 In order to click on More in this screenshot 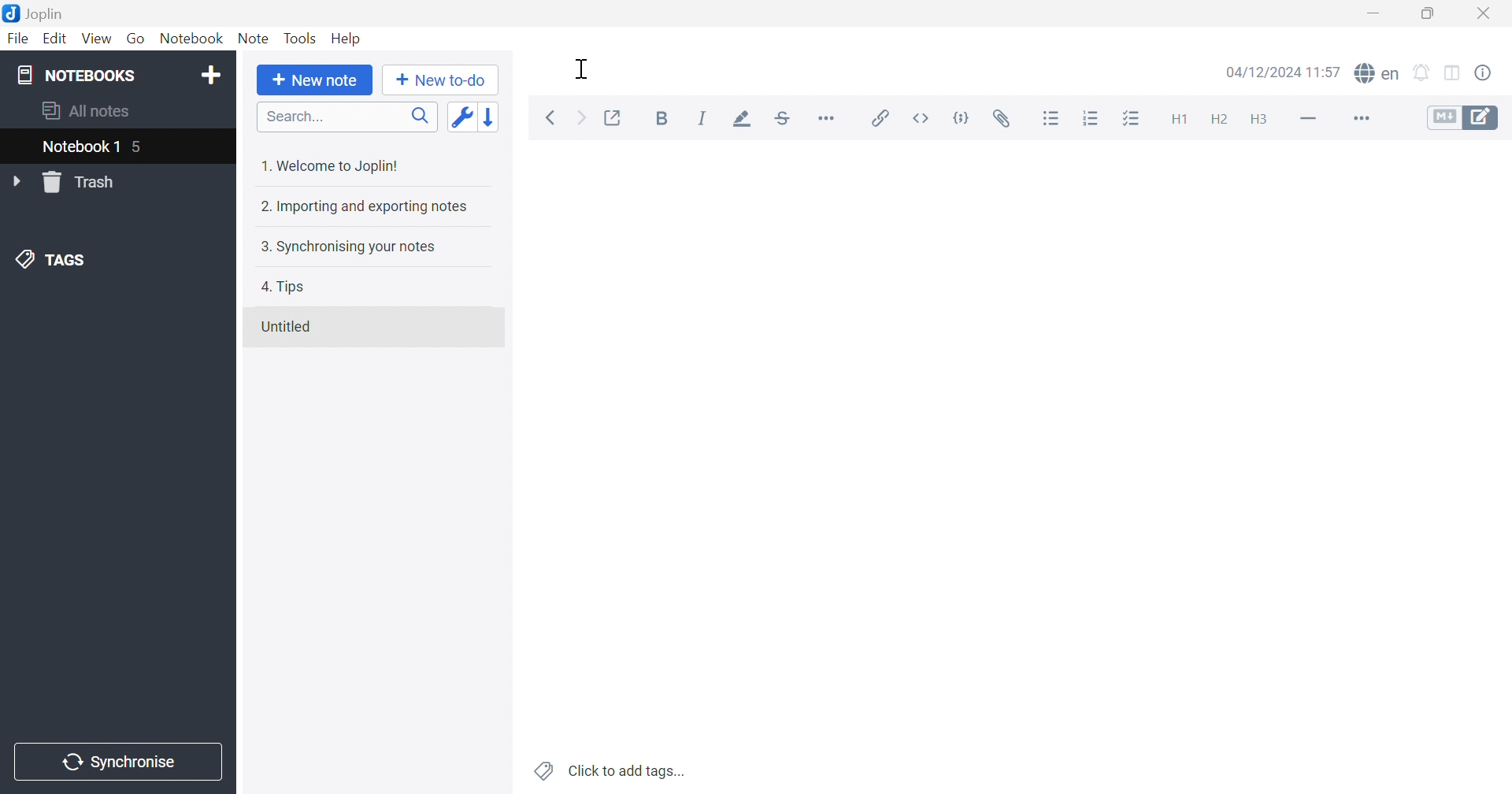, I will do `click(1364, 118)`.